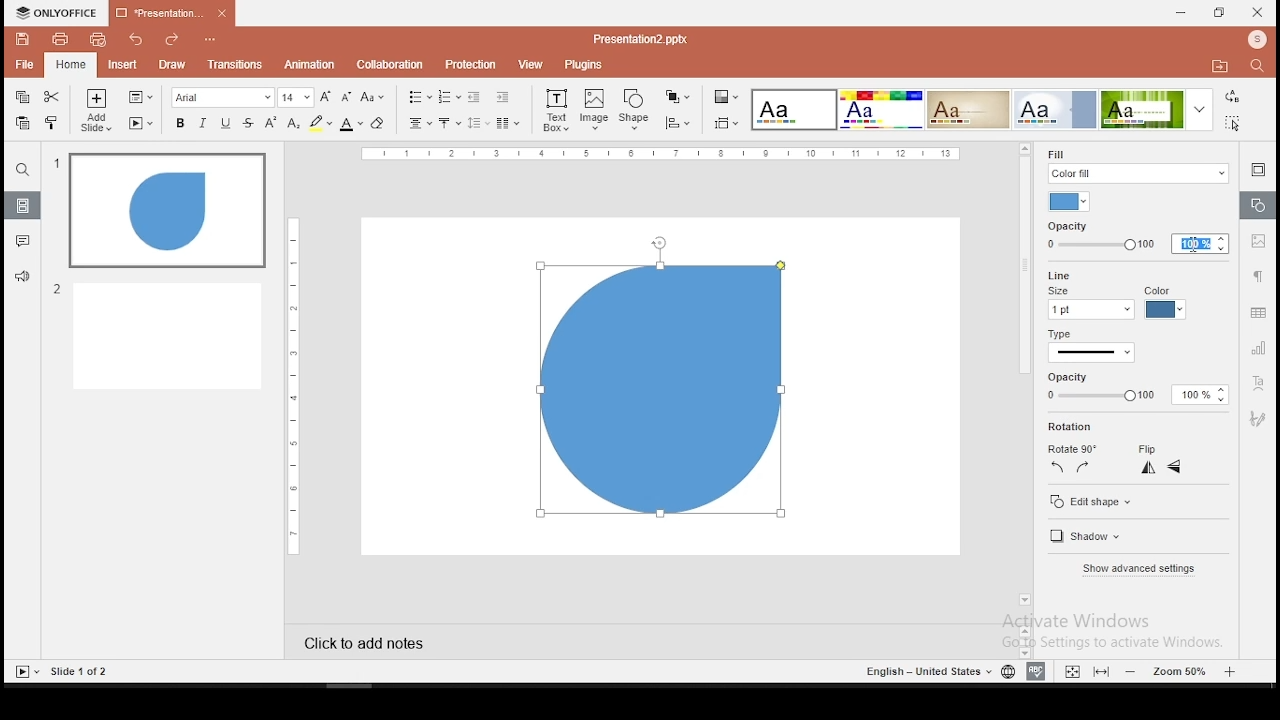  I want to click on line size, so click(1090, 303).